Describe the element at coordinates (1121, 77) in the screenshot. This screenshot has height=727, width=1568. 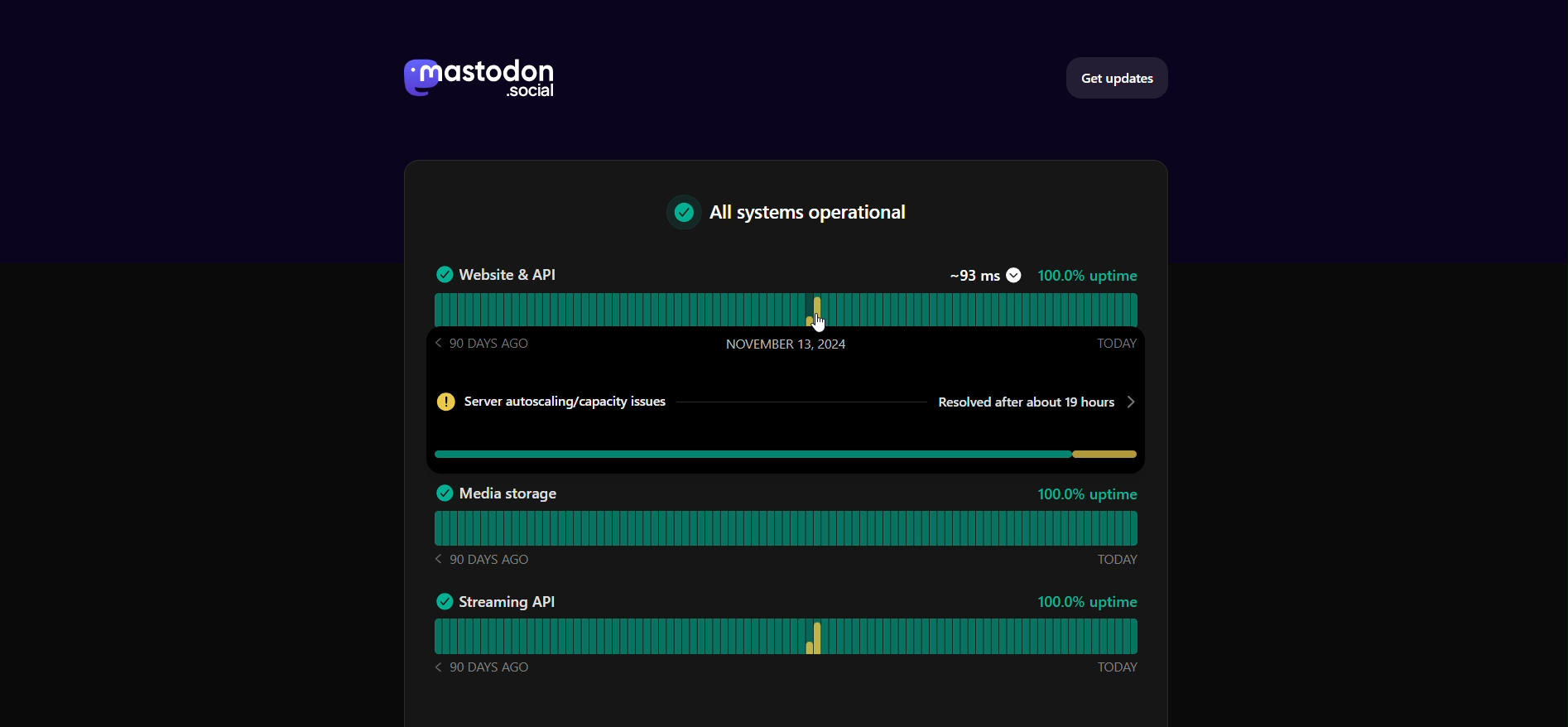
I see `get updates` at that location.